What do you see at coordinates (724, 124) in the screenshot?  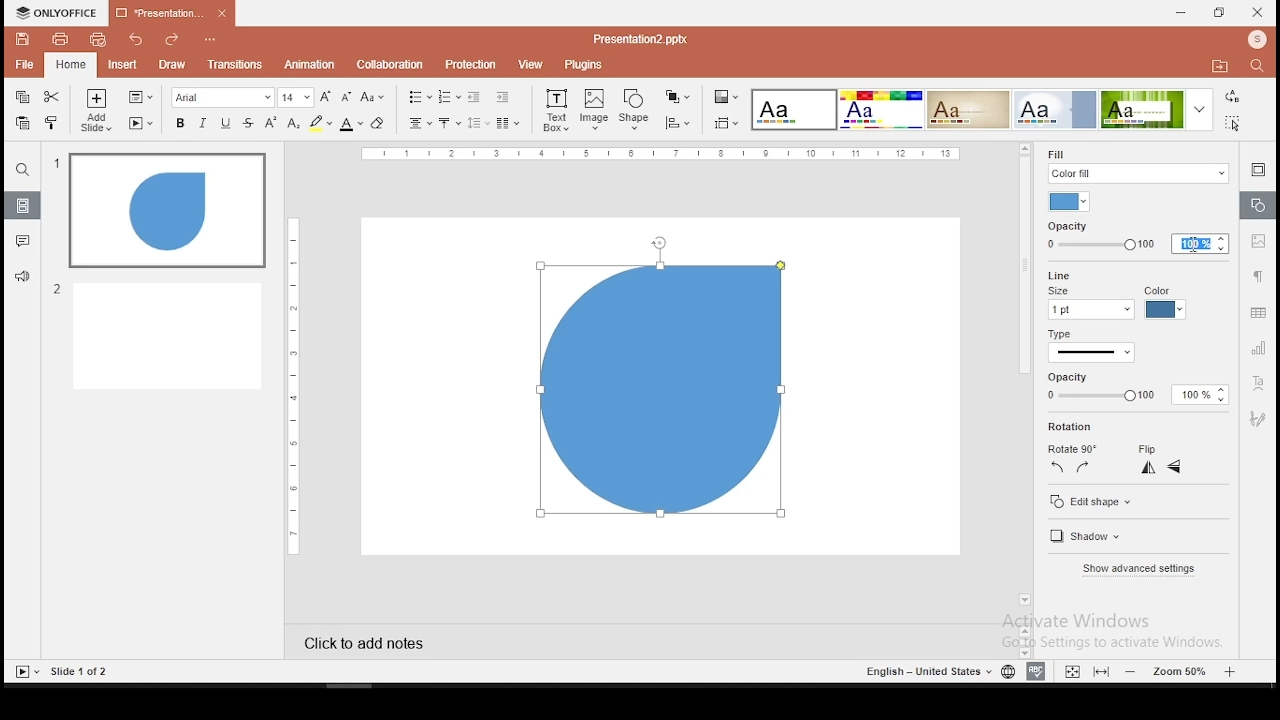 I see `slide size` at bounding box center [724, 124].